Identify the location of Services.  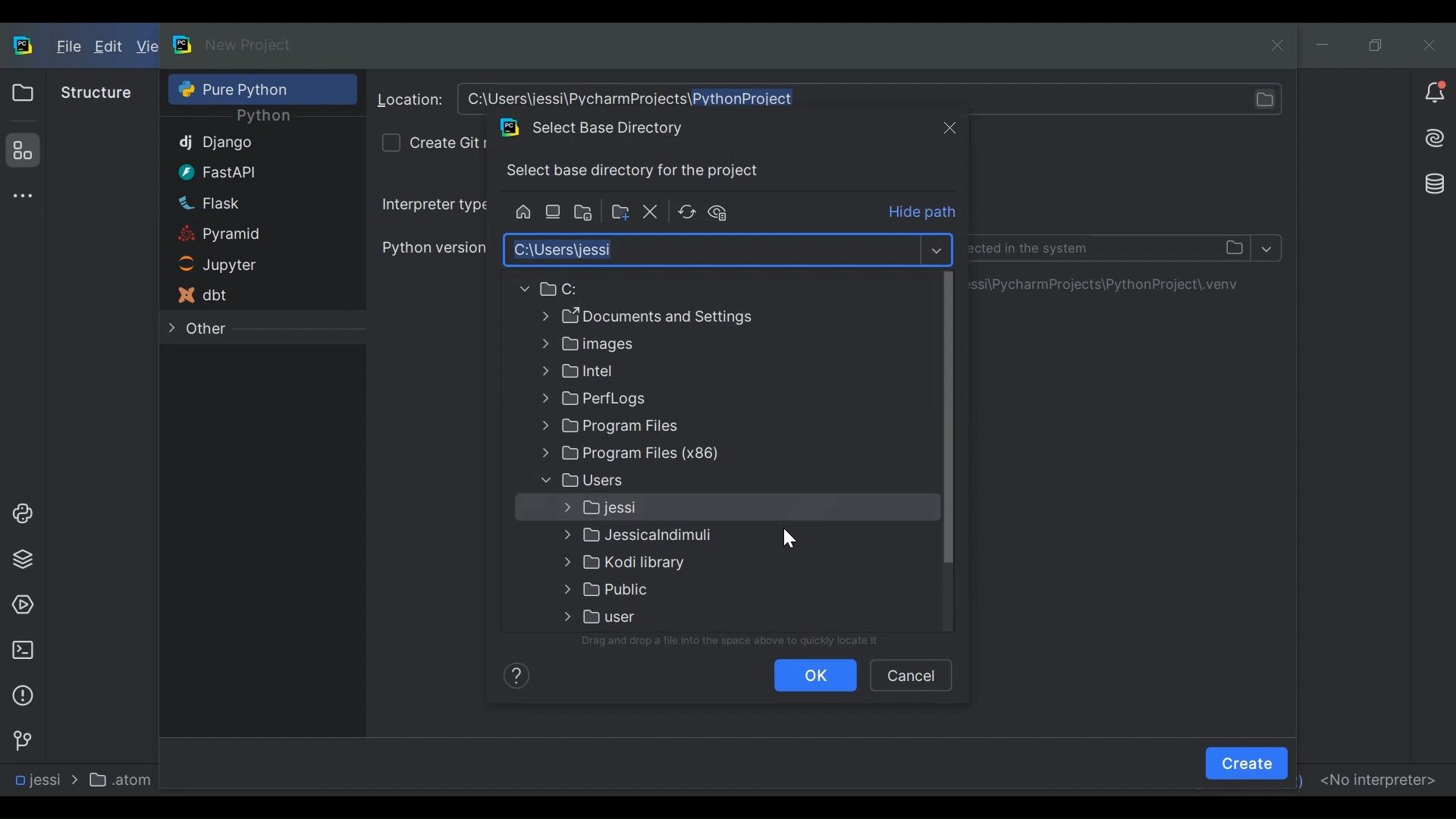
(22, 606).